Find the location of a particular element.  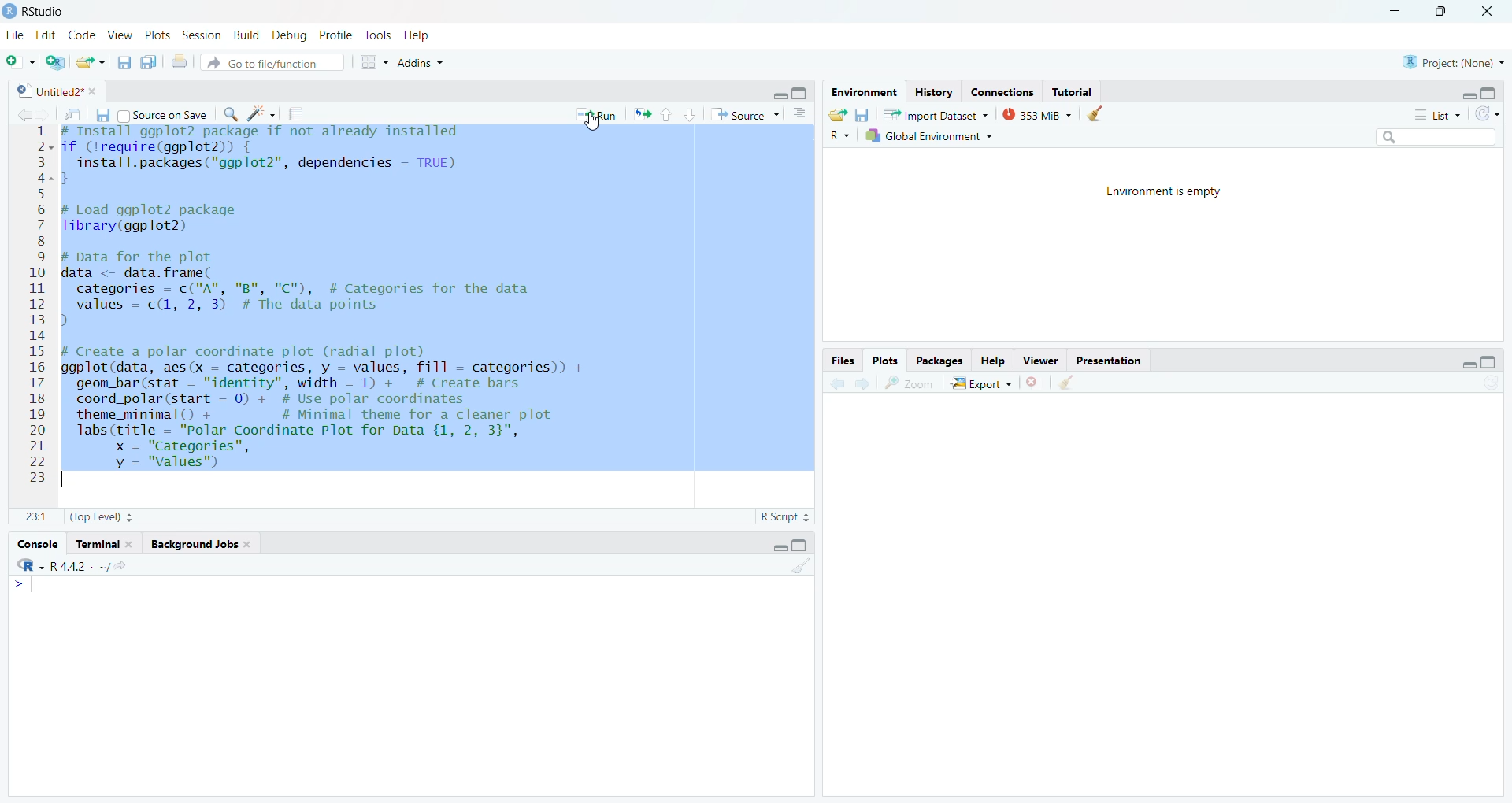

1:1 is located at coordinates (32, 516).